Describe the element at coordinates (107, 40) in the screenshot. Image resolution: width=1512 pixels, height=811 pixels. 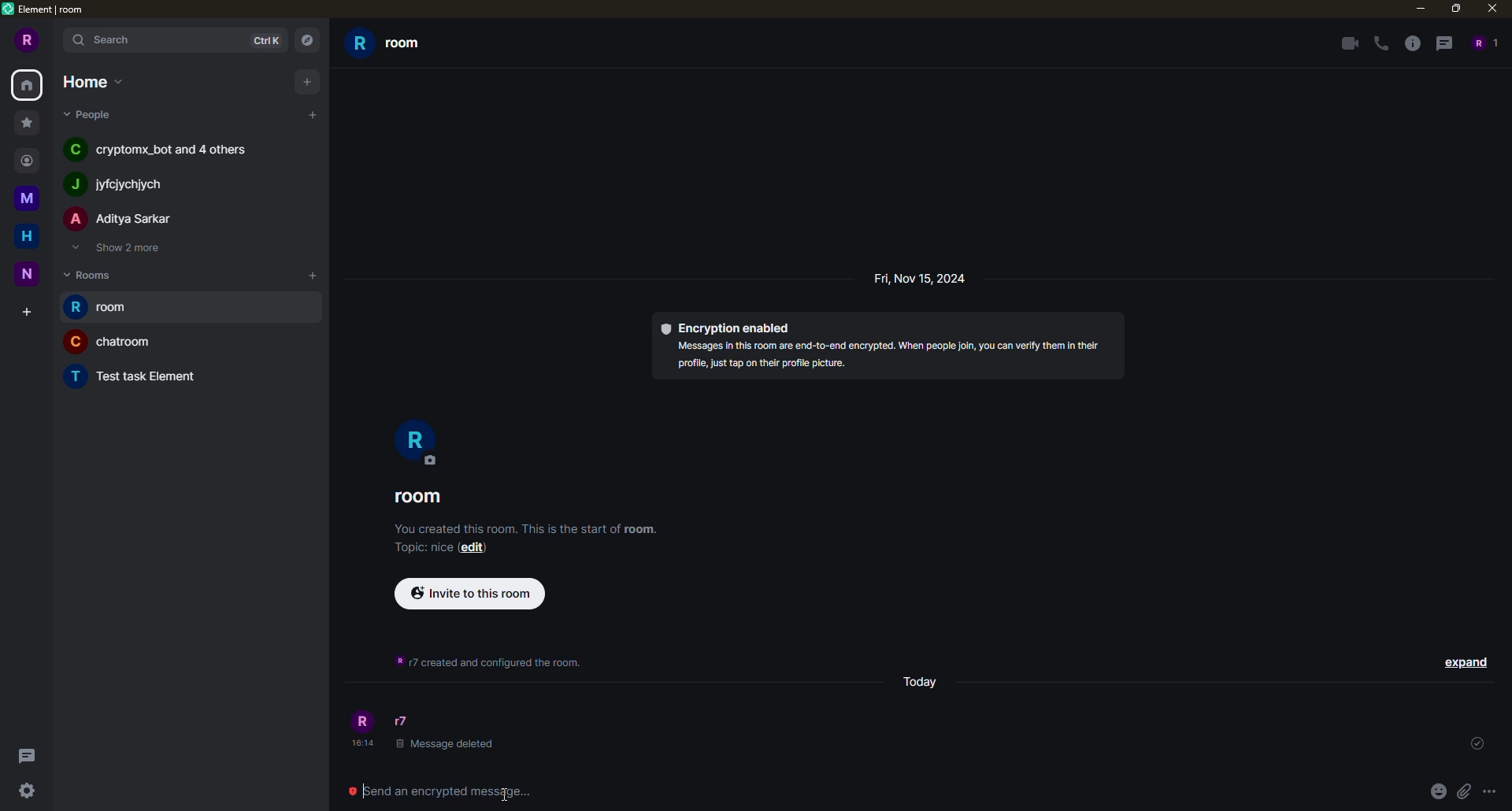
I see `search` at that location.